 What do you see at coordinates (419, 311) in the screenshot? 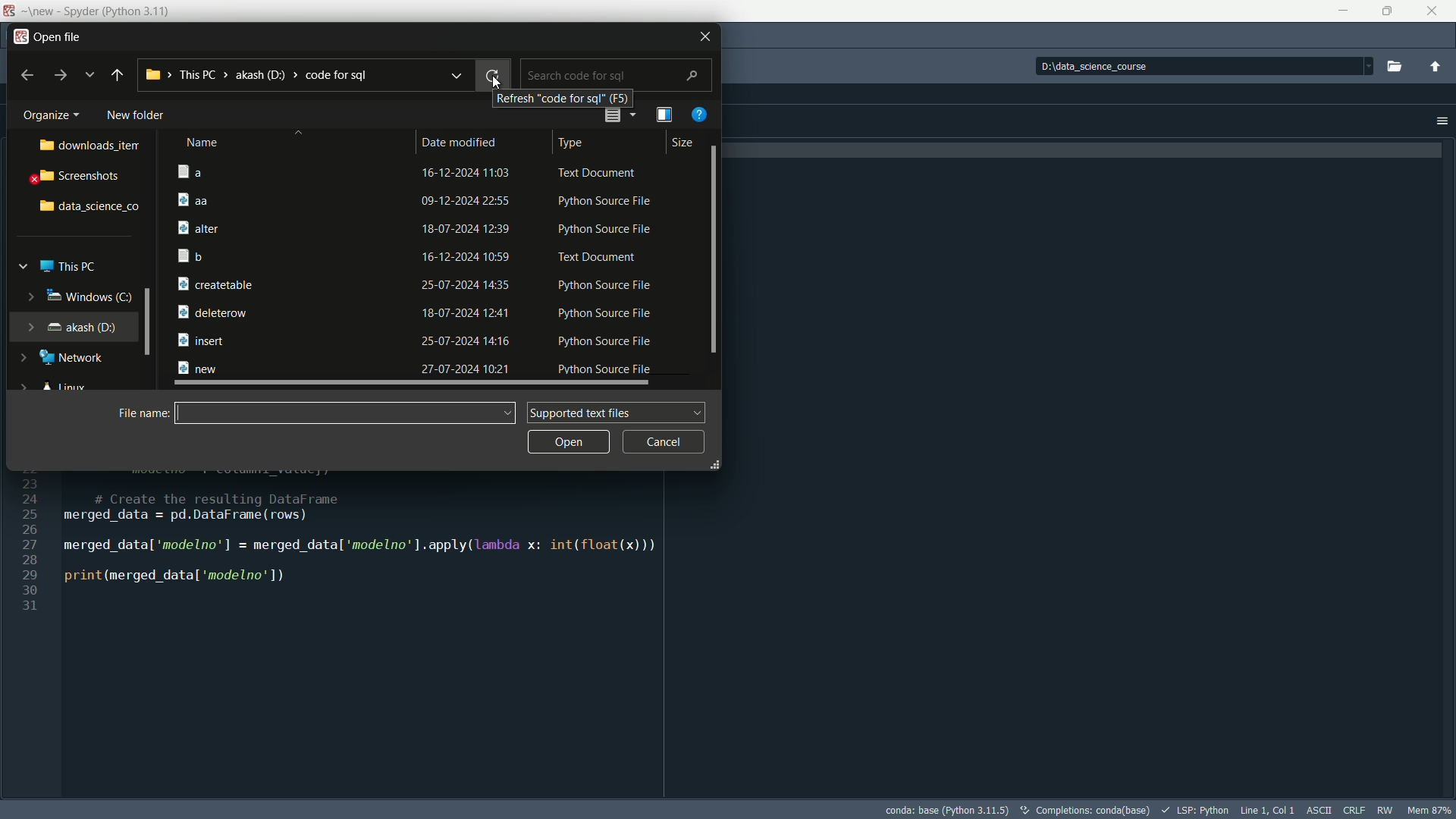
I see `file-6` at bounding box center [419, 311].